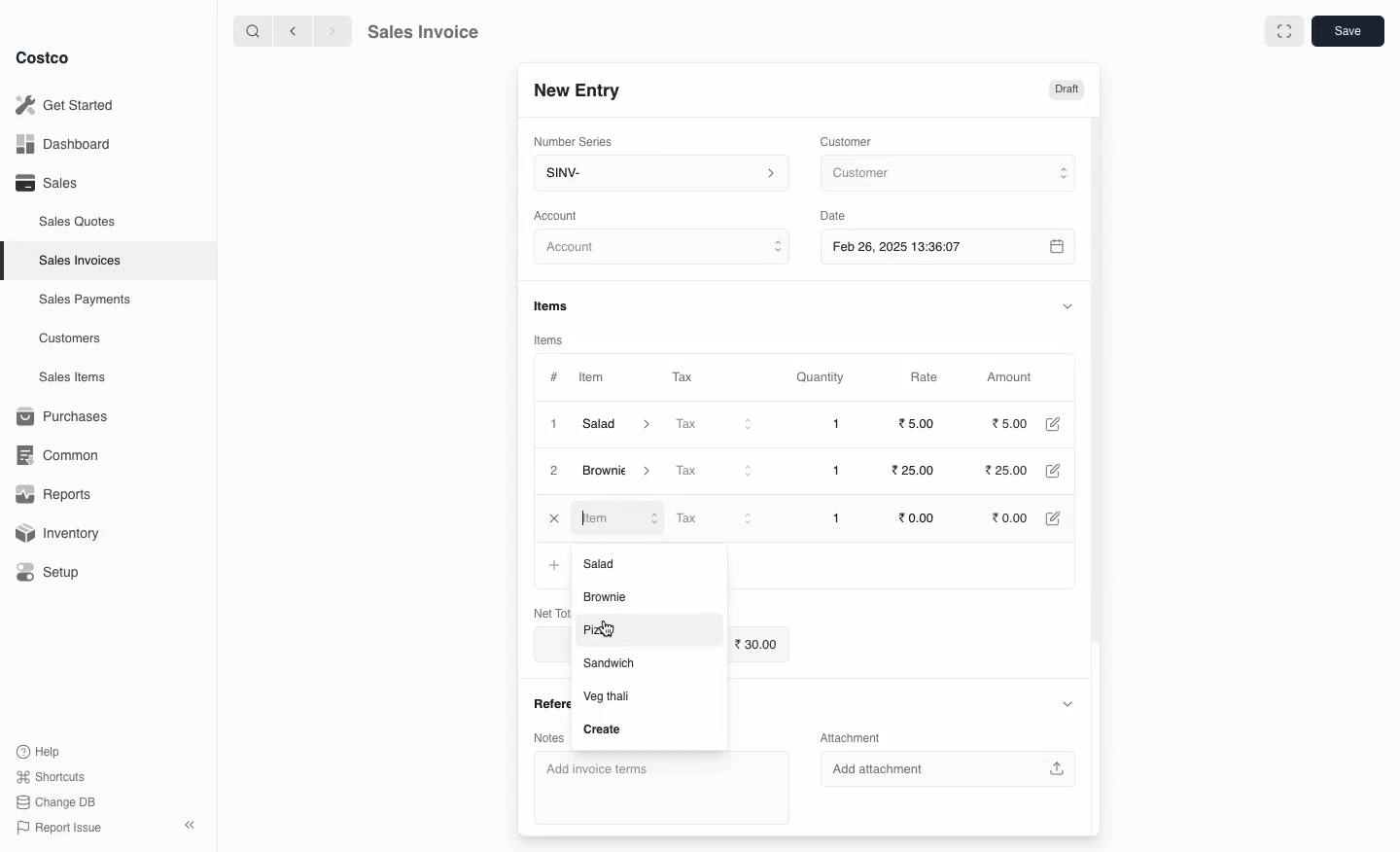 This screenshot has width=1400, height=852. I want to click on Hide, so click(1067, 704).